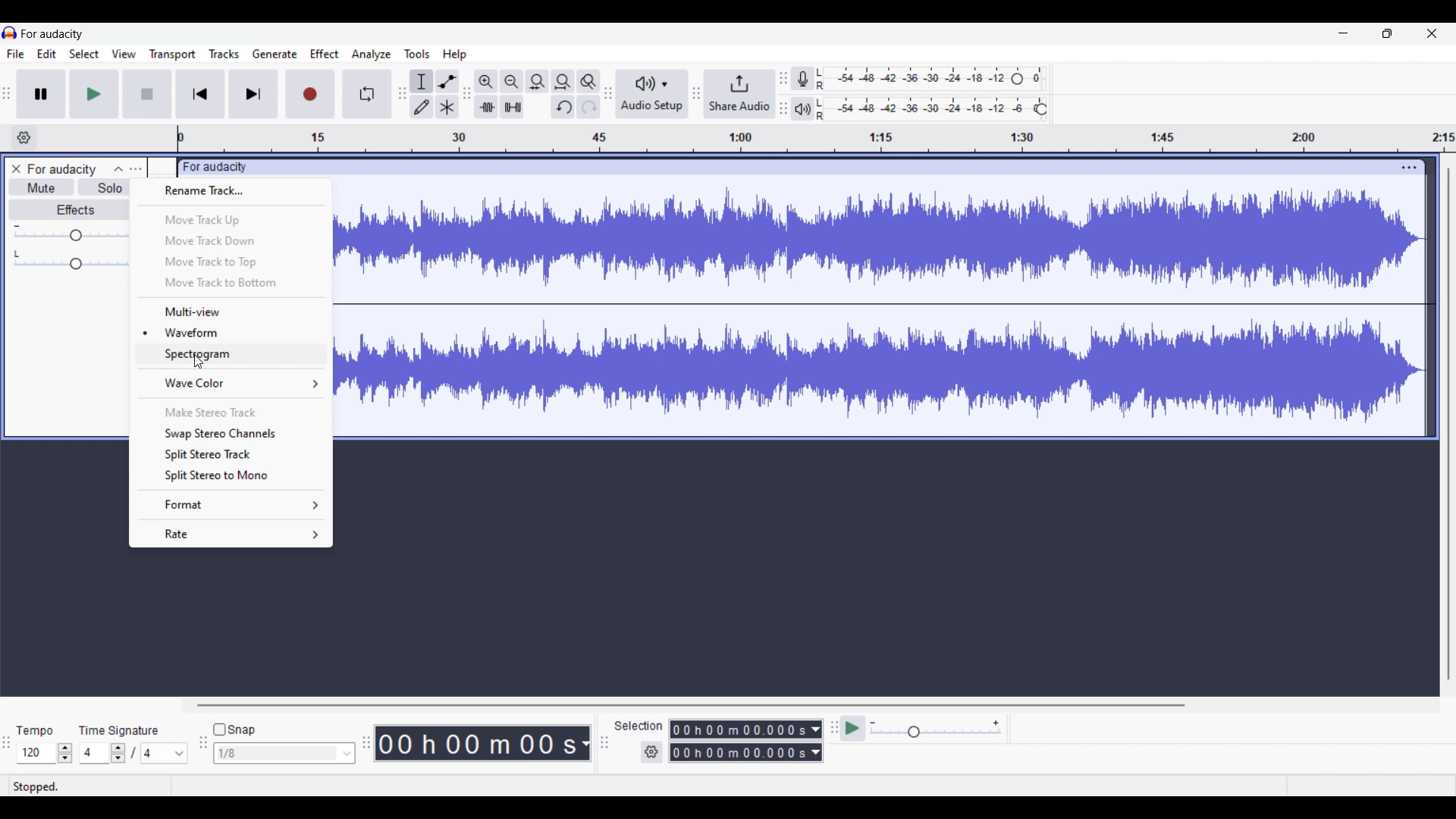 This screenshot has height=819, width=1456. Describe the element at coordinates (284, 753) in the screenshot. I see `Snap options` at that location.